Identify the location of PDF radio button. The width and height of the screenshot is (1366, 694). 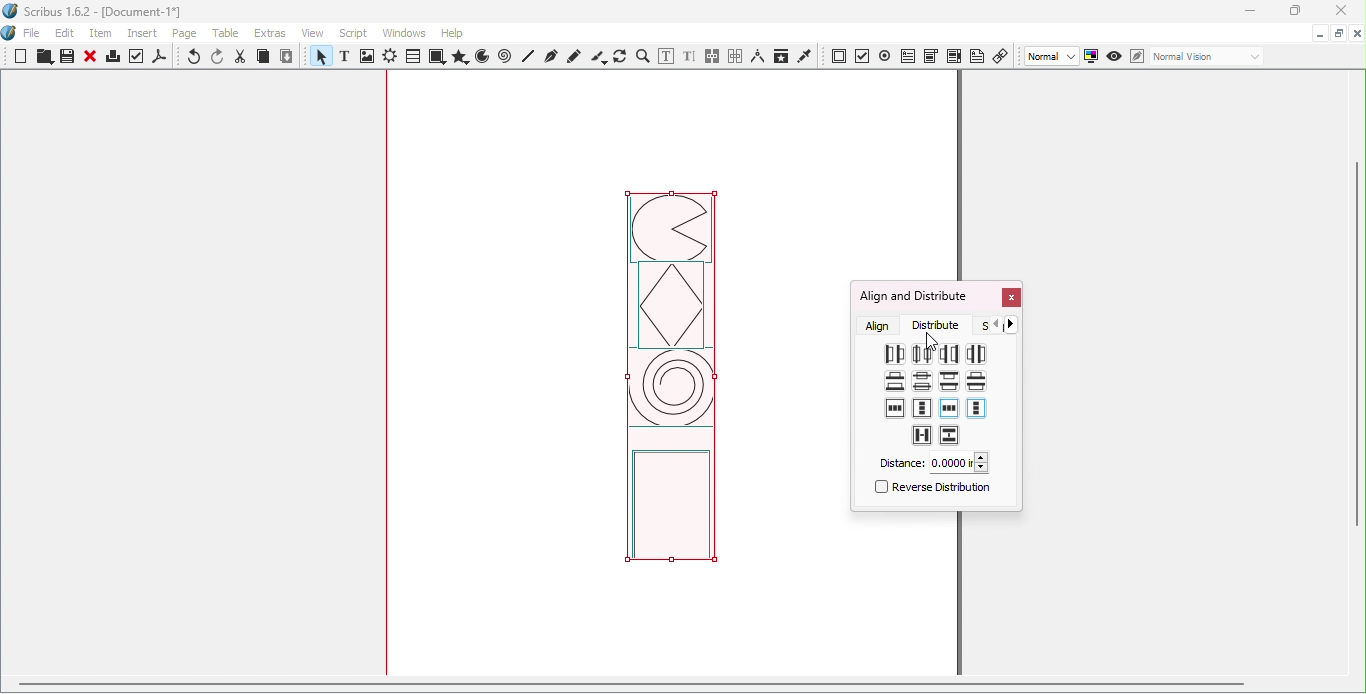
(885, 55).